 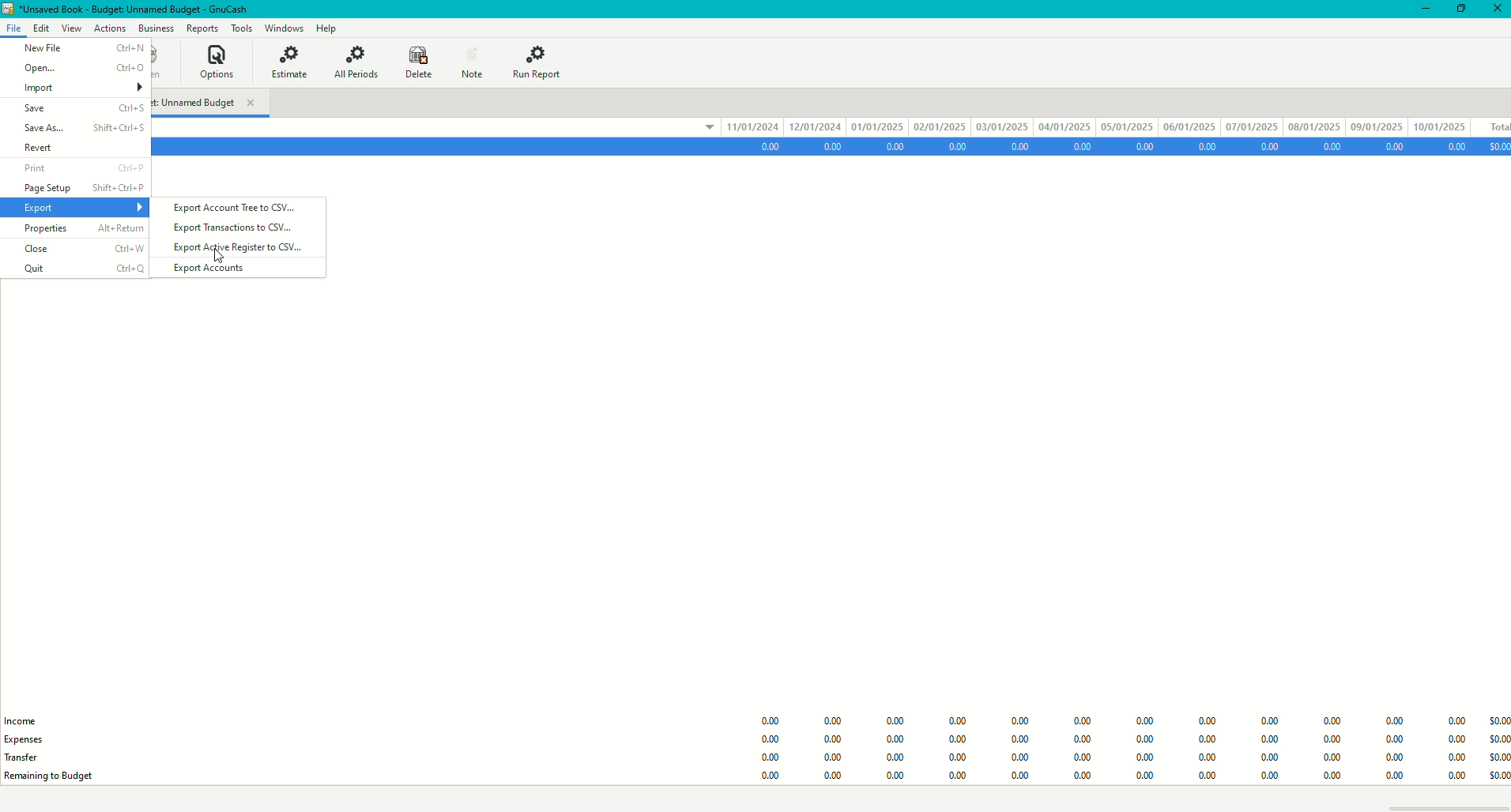 What do you see at coordinates (81, 67) in the screenshot?
I see `Open` at bounding box center [81, 67].